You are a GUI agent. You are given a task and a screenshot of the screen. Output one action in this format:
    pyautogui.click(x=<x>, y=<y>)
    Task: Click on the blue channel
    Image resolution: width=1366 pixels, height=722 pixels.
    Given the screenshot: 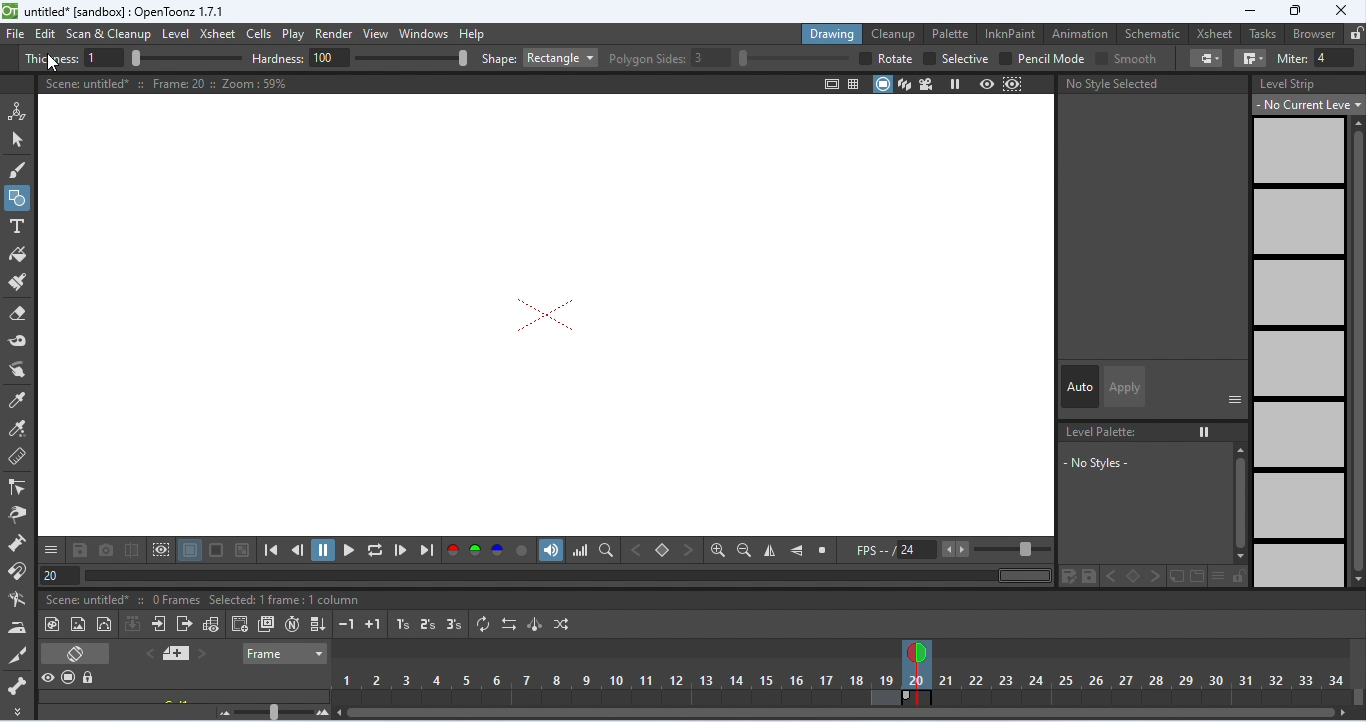 What is the action you would take?
    pyautogui.click(x=497, y=550)
    